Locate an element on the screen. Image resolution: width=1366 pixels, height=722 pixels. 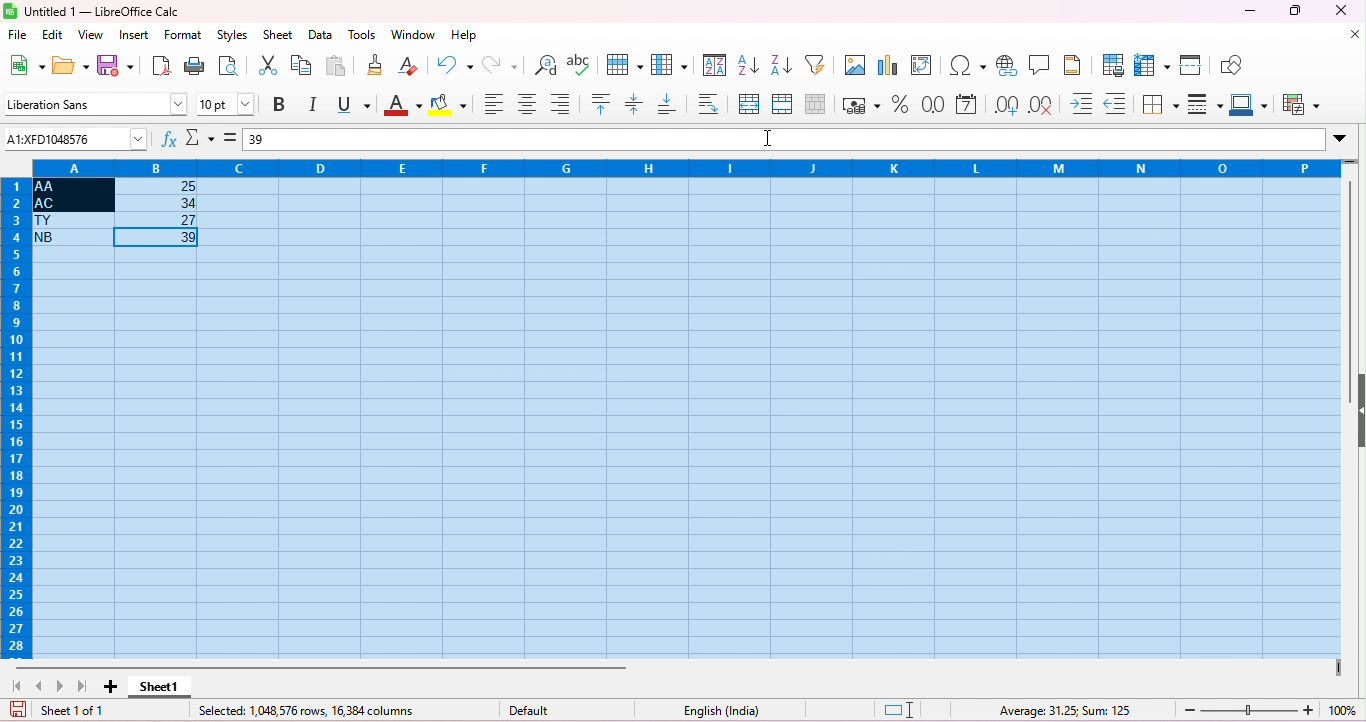
file is located at coordinates (18, 35).